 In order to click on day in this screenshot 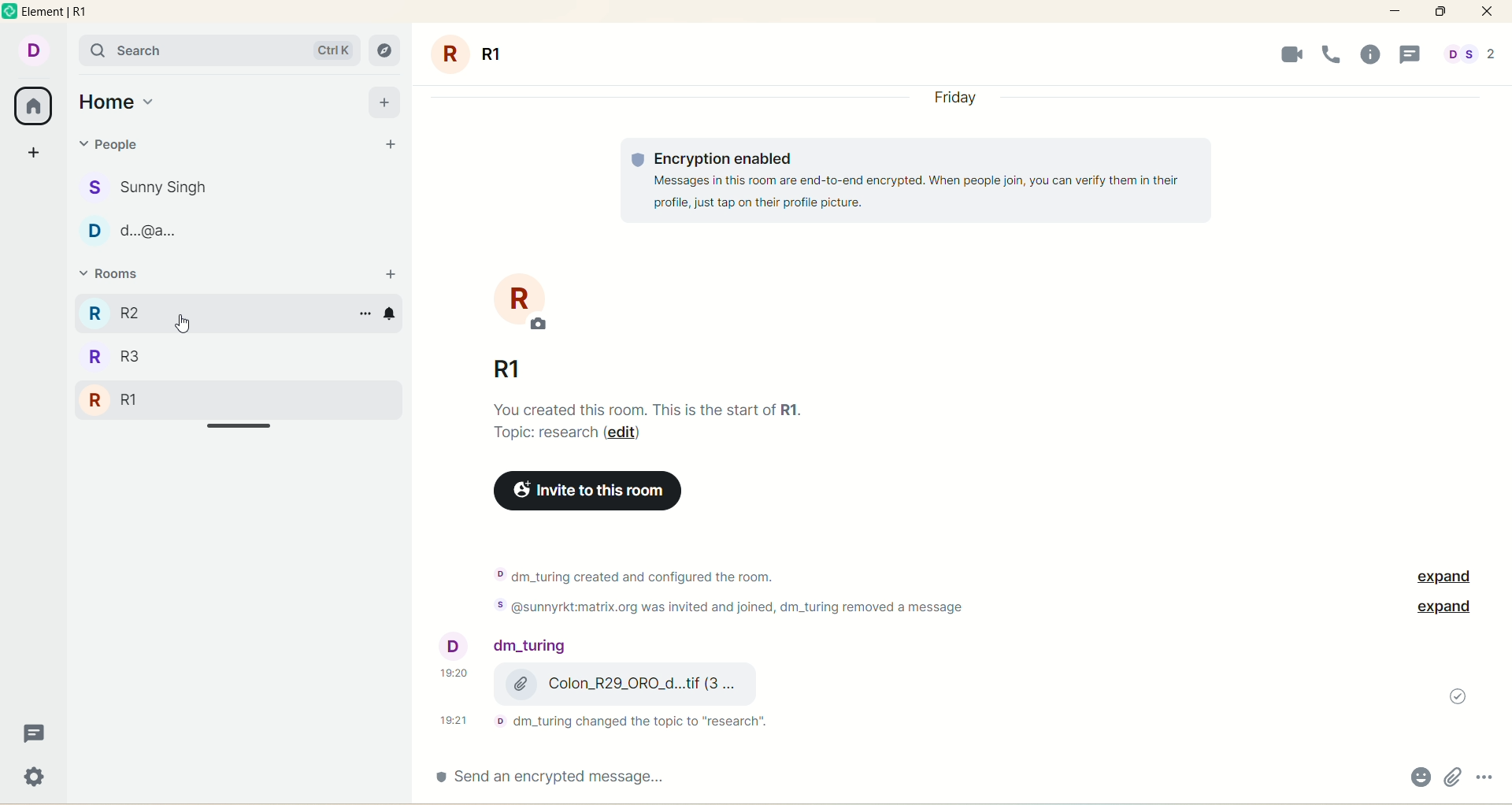, I will do `click(957, 101)`.